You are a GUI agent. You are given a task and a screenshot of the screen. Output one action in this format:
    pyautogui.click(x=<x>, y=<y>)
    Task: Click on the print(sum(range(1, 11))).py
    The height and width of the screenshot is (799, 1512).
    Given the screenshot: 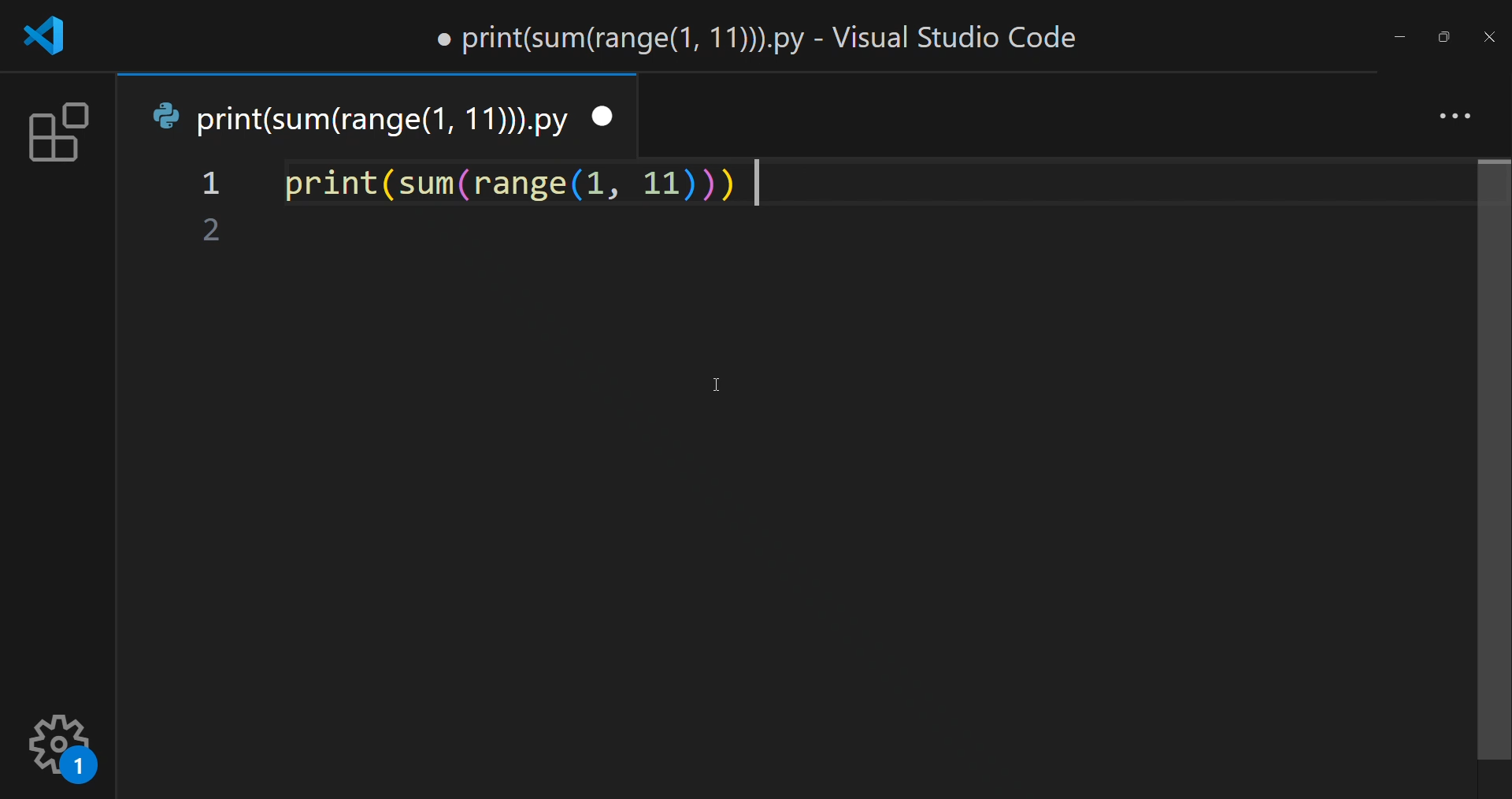 What is the action you would take?
    pyautogui.click(x=361, y=118)
    